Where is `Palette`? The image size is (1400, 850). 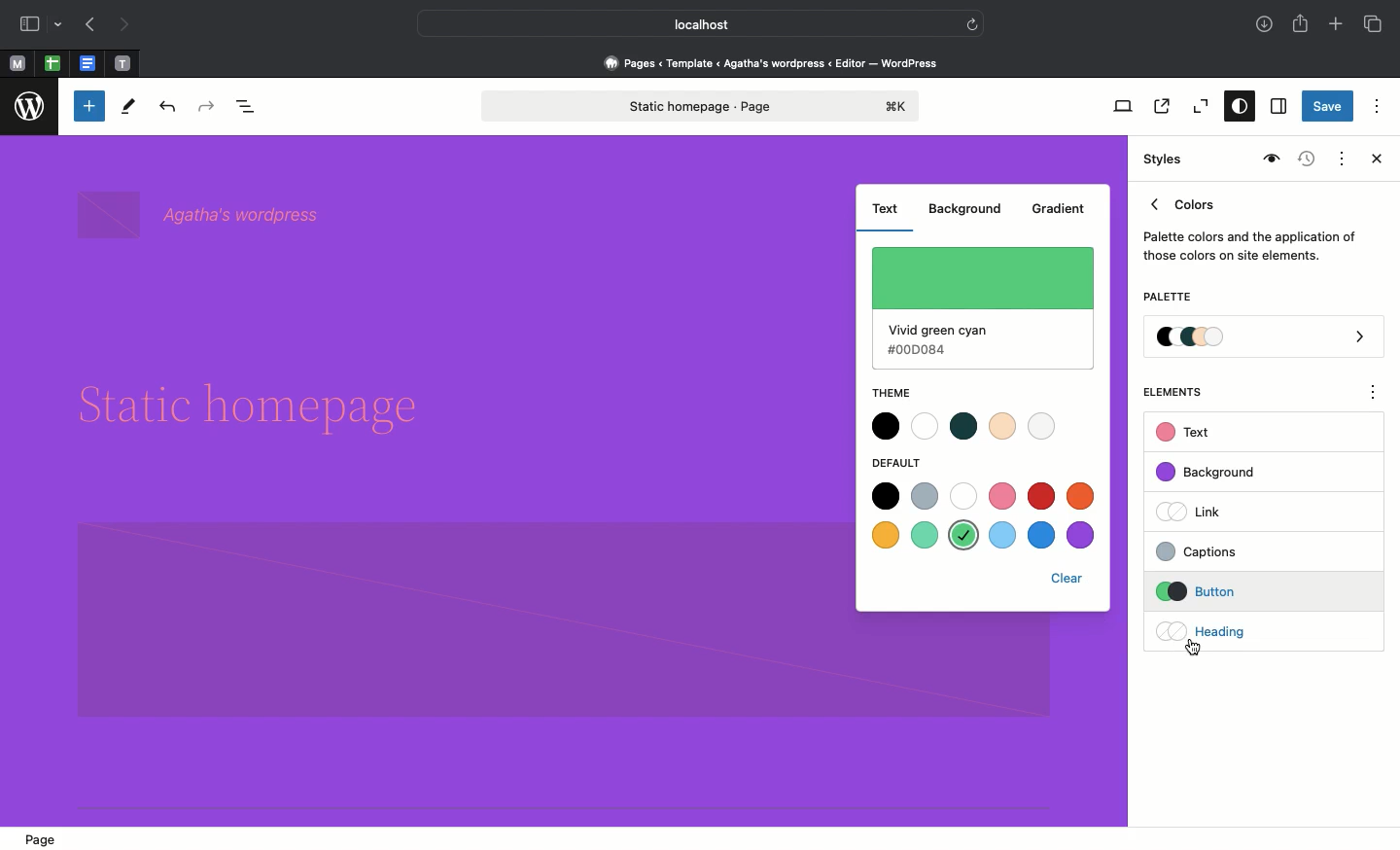 Palette is located at coordinates (1167, 299).